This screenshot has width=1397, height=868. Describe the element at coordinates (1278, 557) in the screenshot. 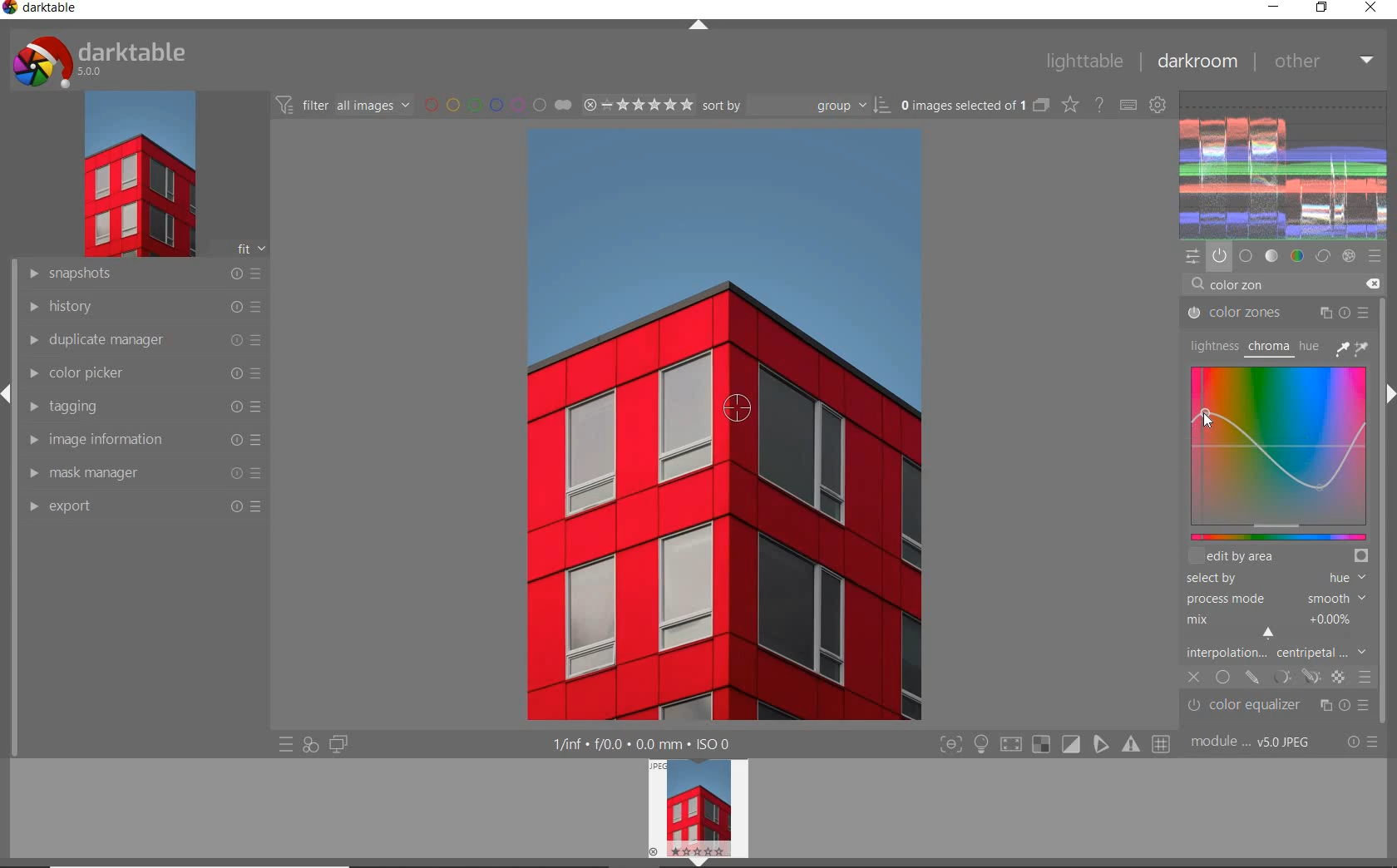

I see `EDIT BY AREA` at that location.